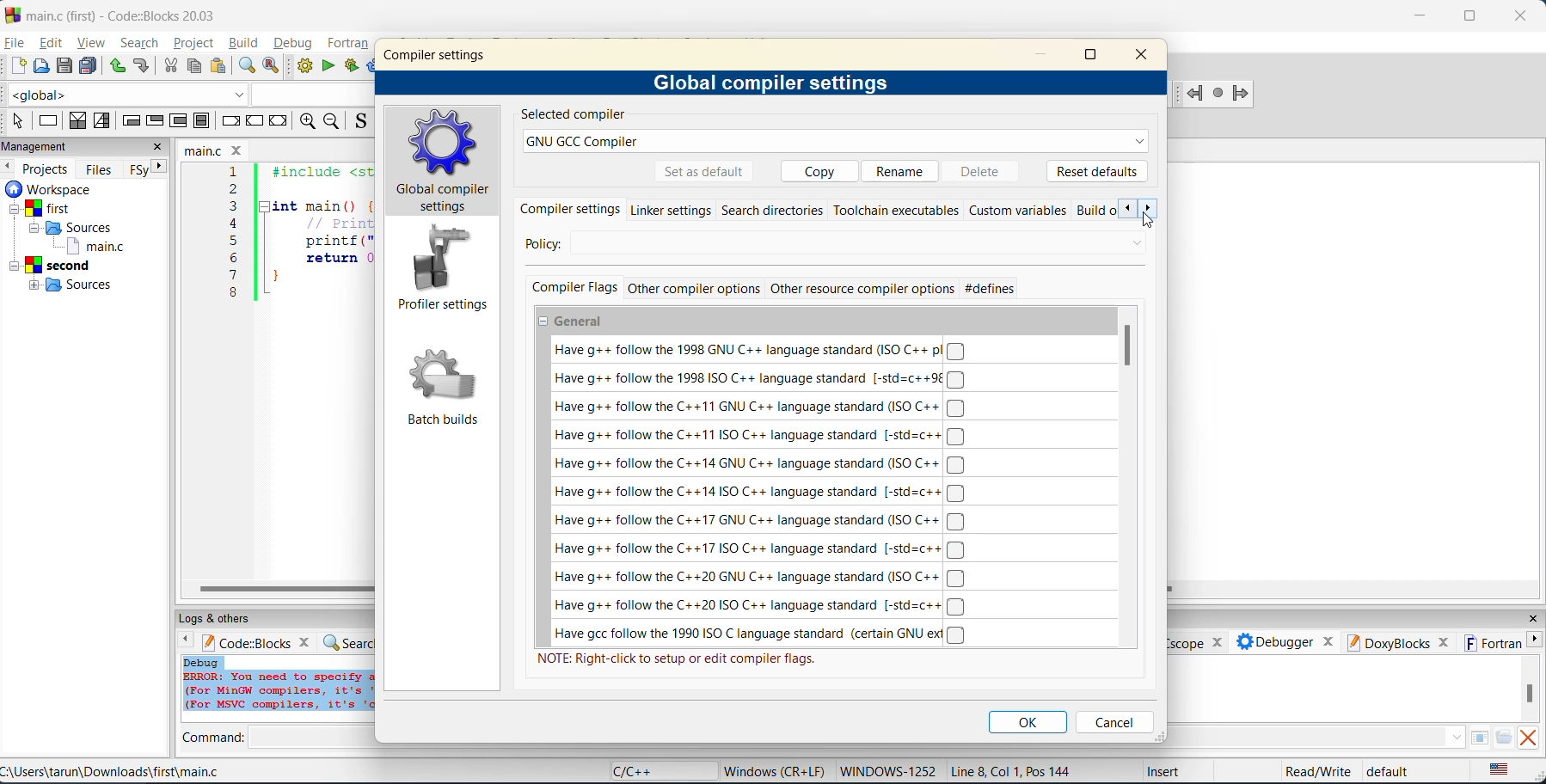 The height and width of the screenshot is (784, 1546). What do you see at coordinates (758, 378) in the screenshot?
I see `Have g++ follow the 1998 ISO C++ language standard [-std=c++9E` at bounding box center [758, 378].